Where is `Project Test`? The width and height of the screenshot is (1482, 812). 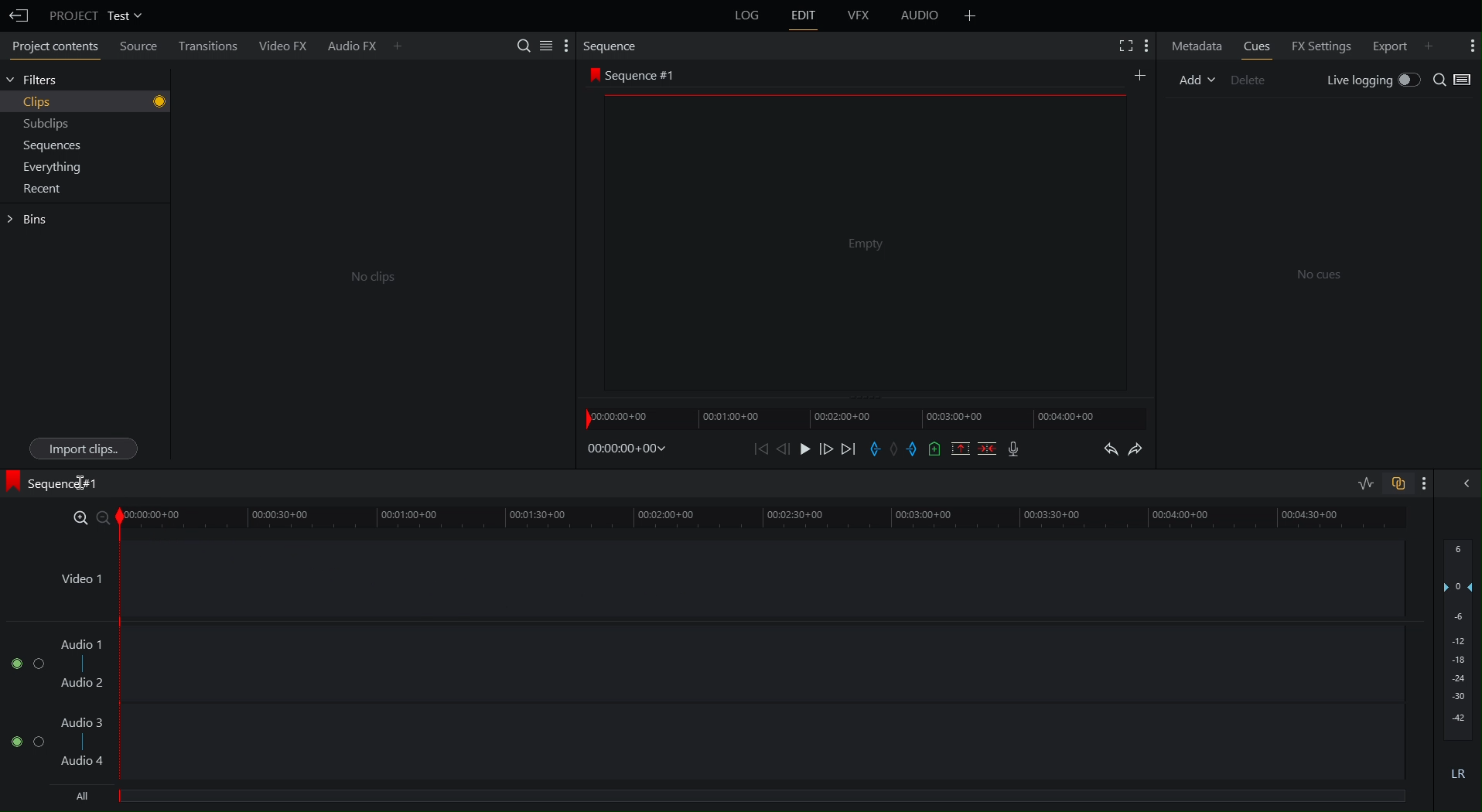 Project Test is located at coordinates (96, 14).